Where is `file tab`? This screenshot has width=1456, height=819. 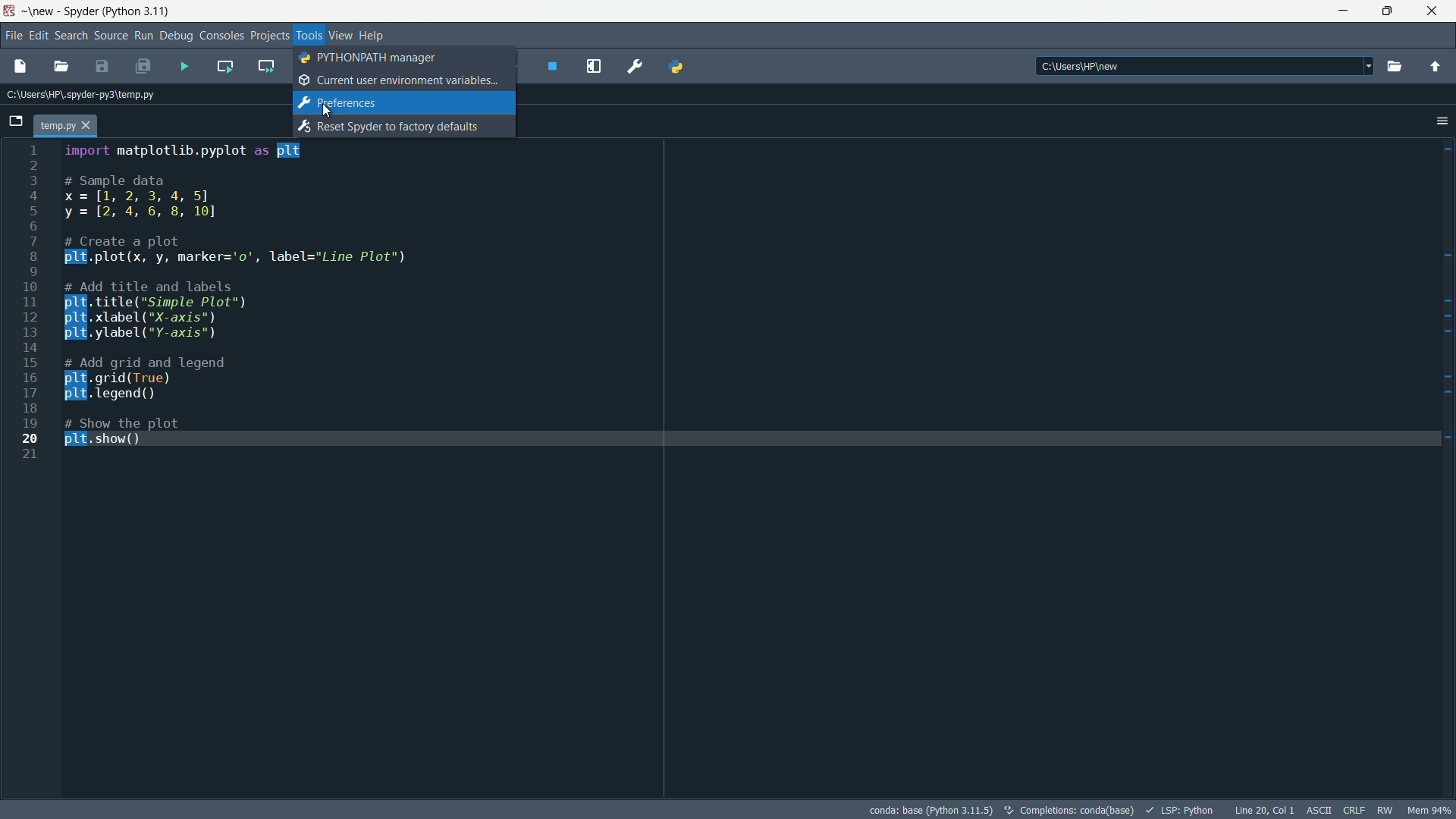
file tab is located at coordinates (65, 125).